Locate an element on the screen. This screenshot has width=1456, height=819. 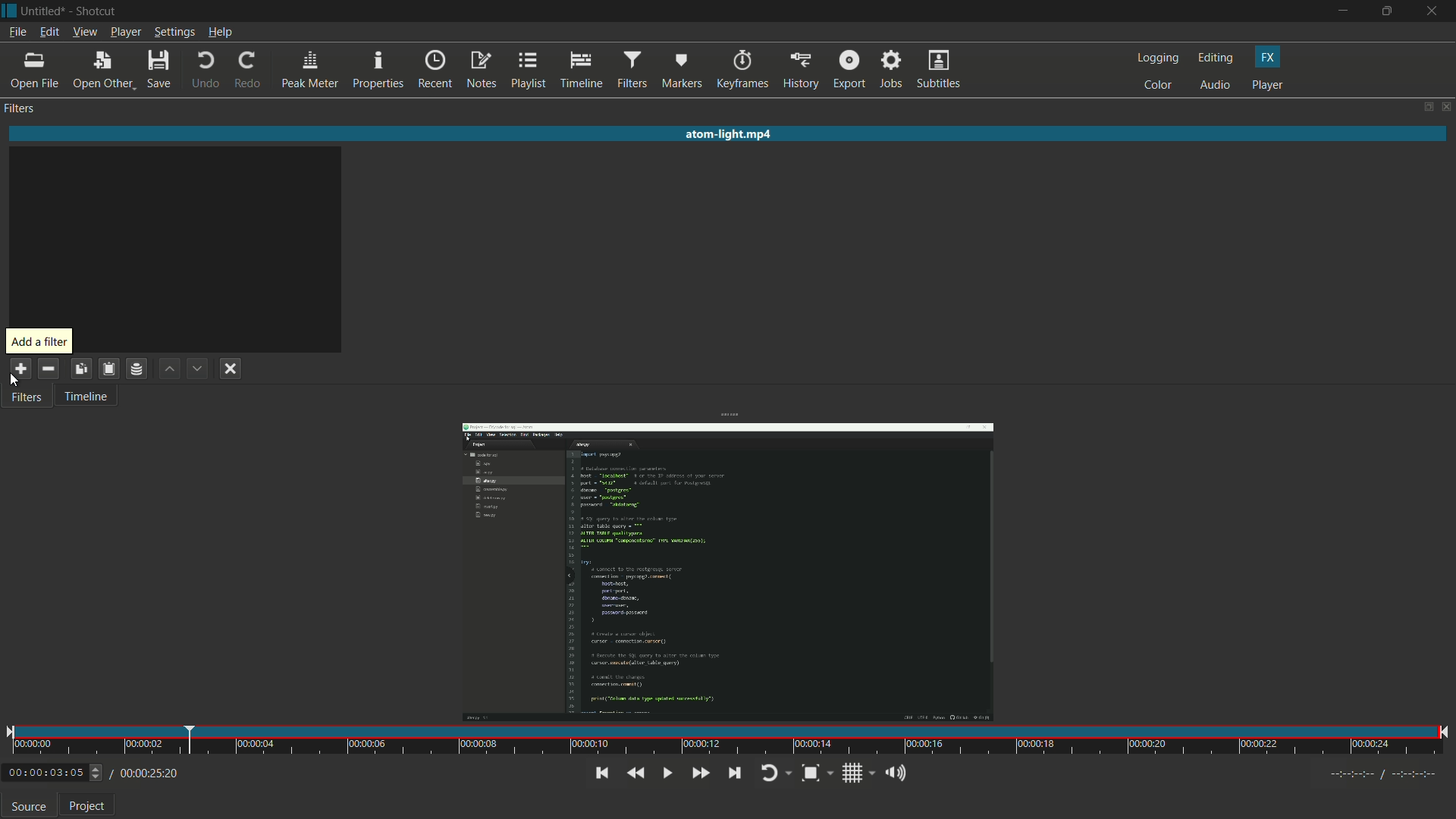
open file is located at coordinates (34, 71).